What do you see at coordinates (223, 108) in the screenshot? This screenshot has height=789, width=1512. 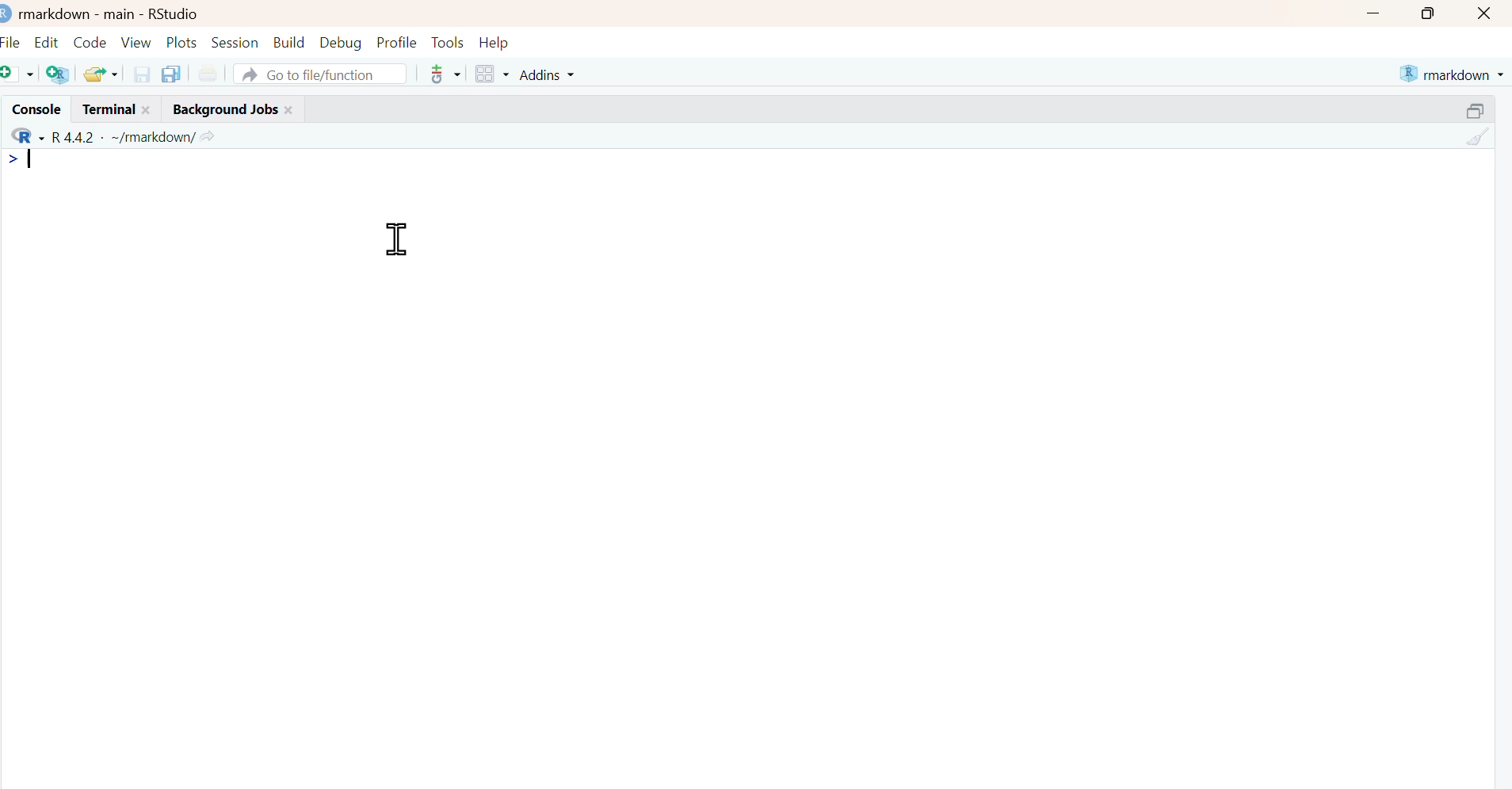 I see `Background Jobs` at bounding box center [223, 108].